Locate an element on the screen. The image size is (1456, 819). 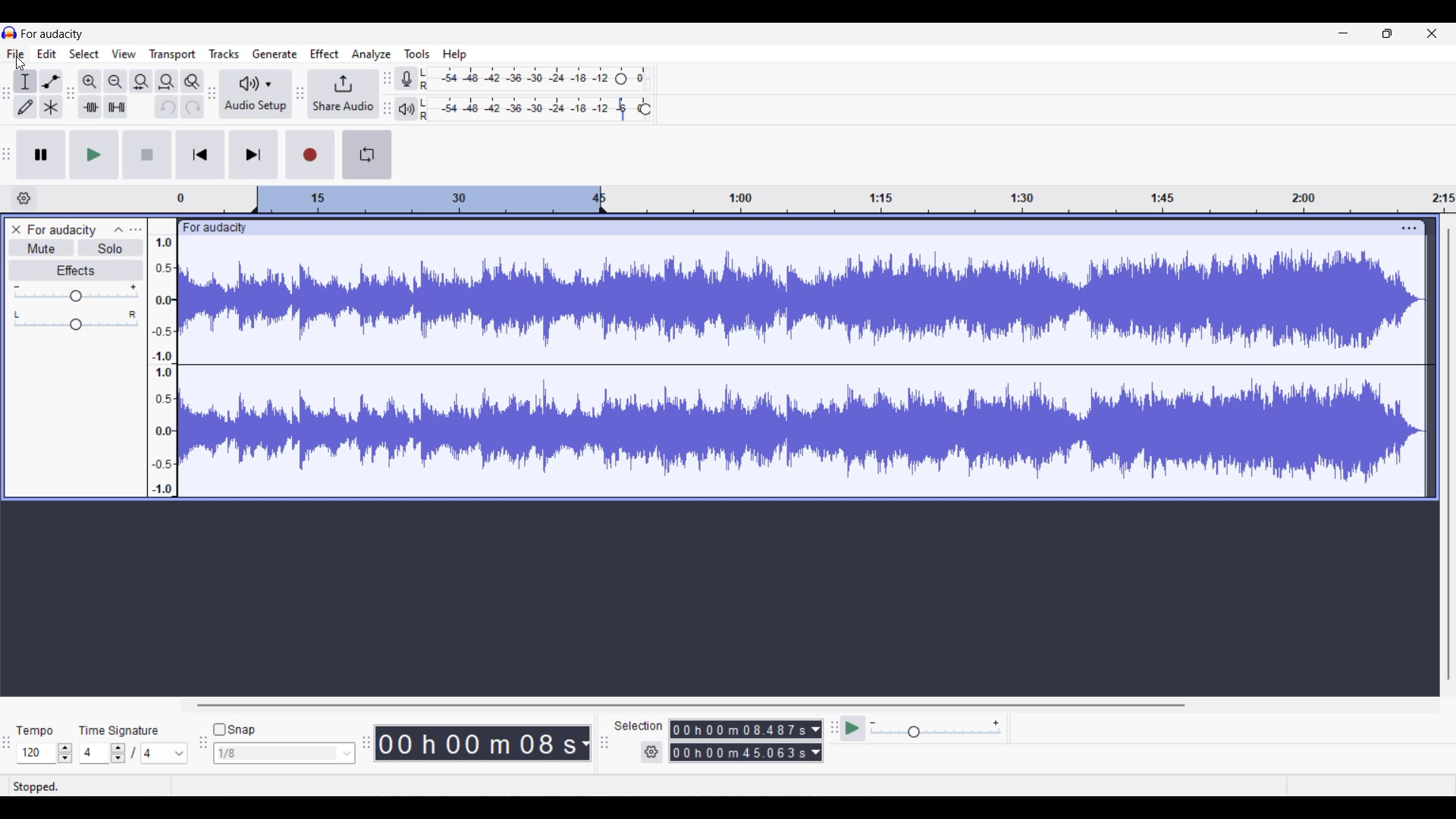
Draw tool is located at coordinates (25, 107).